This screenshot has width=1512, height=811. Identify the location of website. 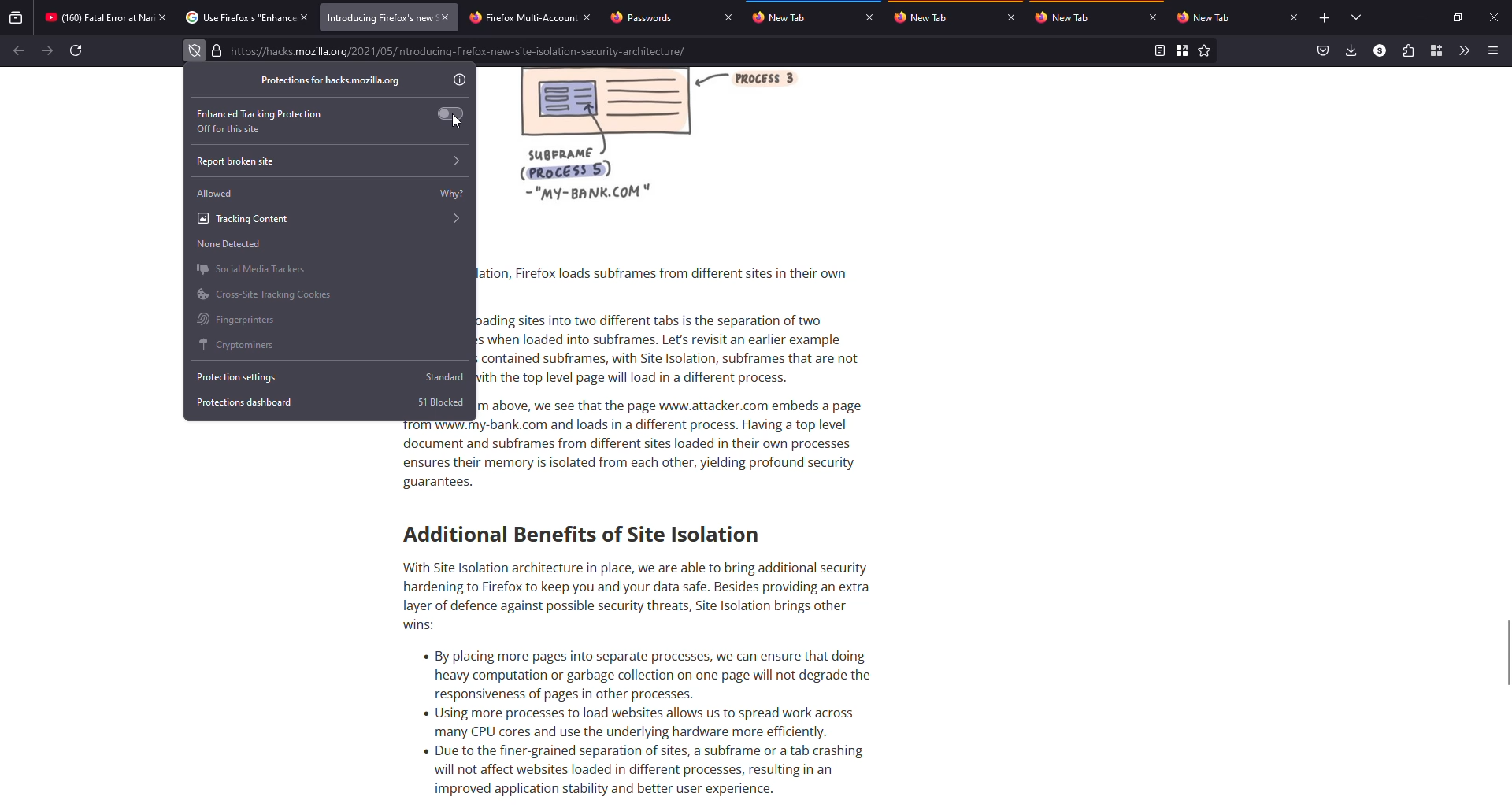
(461, 53).